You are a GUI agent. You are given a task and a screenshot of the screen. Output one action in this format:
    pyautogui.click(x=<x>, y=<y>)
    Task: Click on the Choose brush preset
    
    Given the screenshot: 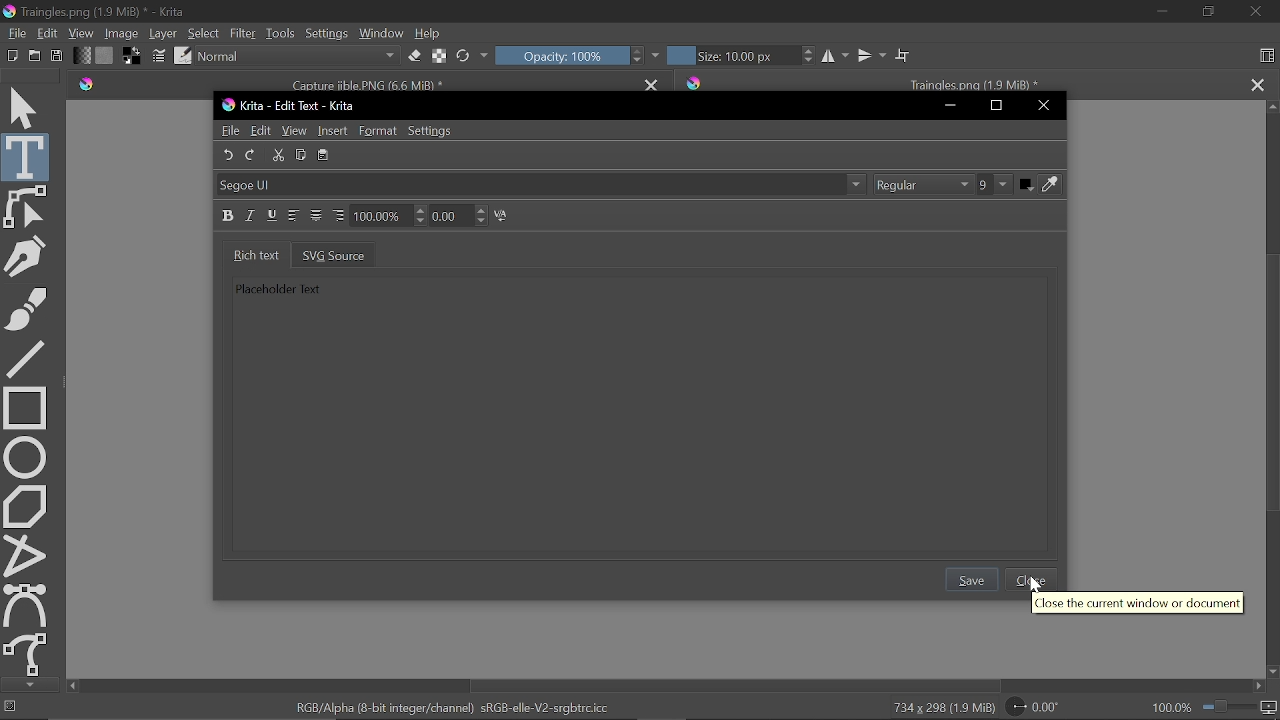 What is the action you would take?
    pyautogui.click(x=464, y=56)
    